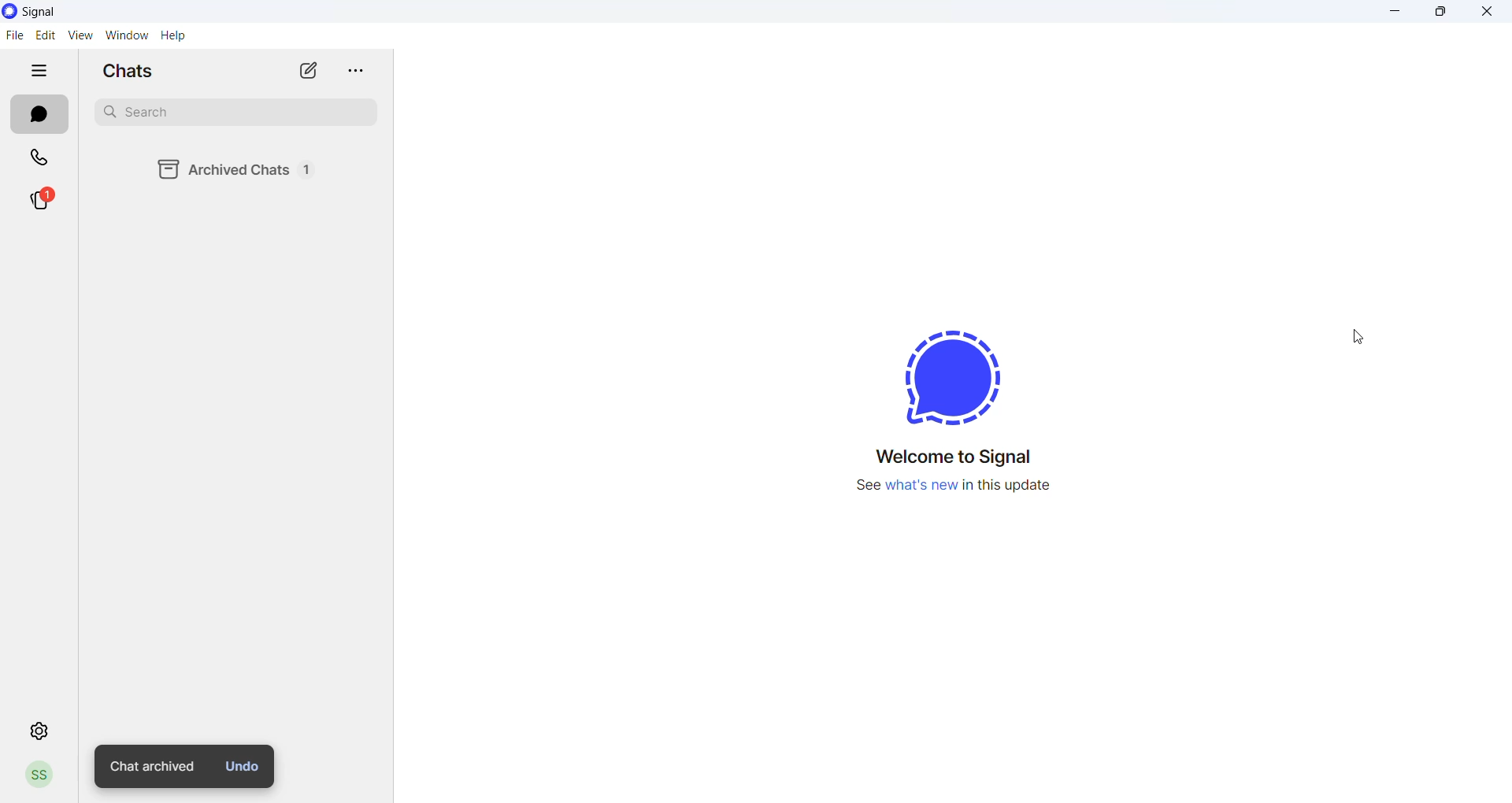 This screenshot has height=803, width=1512. I want to click on more options, so click(356, 72).